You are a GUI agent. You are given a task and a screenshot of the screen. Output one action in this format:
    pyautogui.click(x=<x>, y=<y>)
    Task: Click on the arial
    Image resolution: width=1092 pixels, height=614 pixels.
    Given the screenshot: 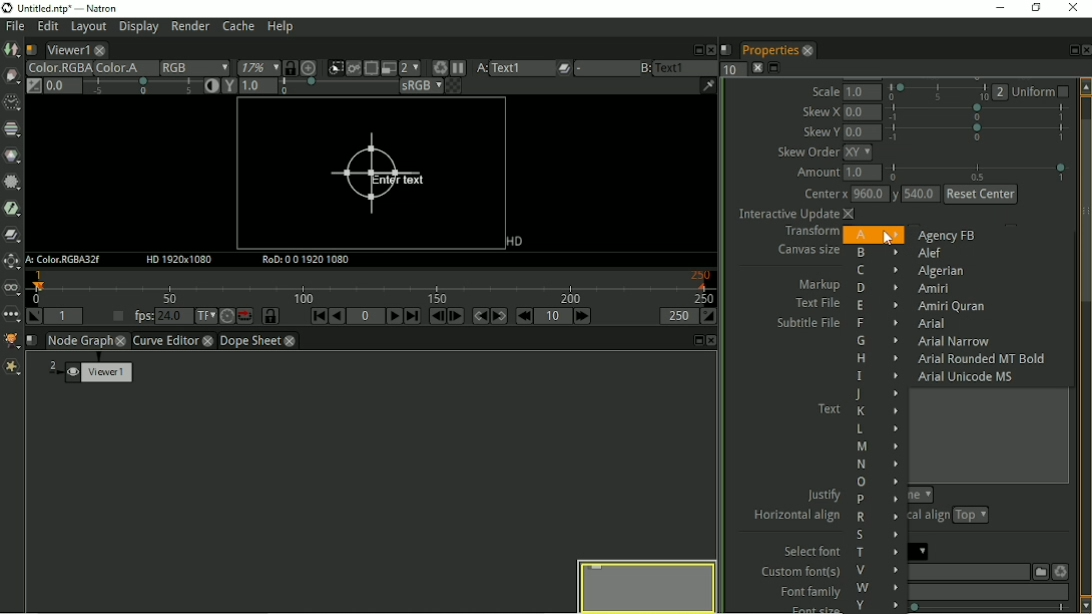 What is the action you would take?
    pyautogui.click(x=988, y=592)
    